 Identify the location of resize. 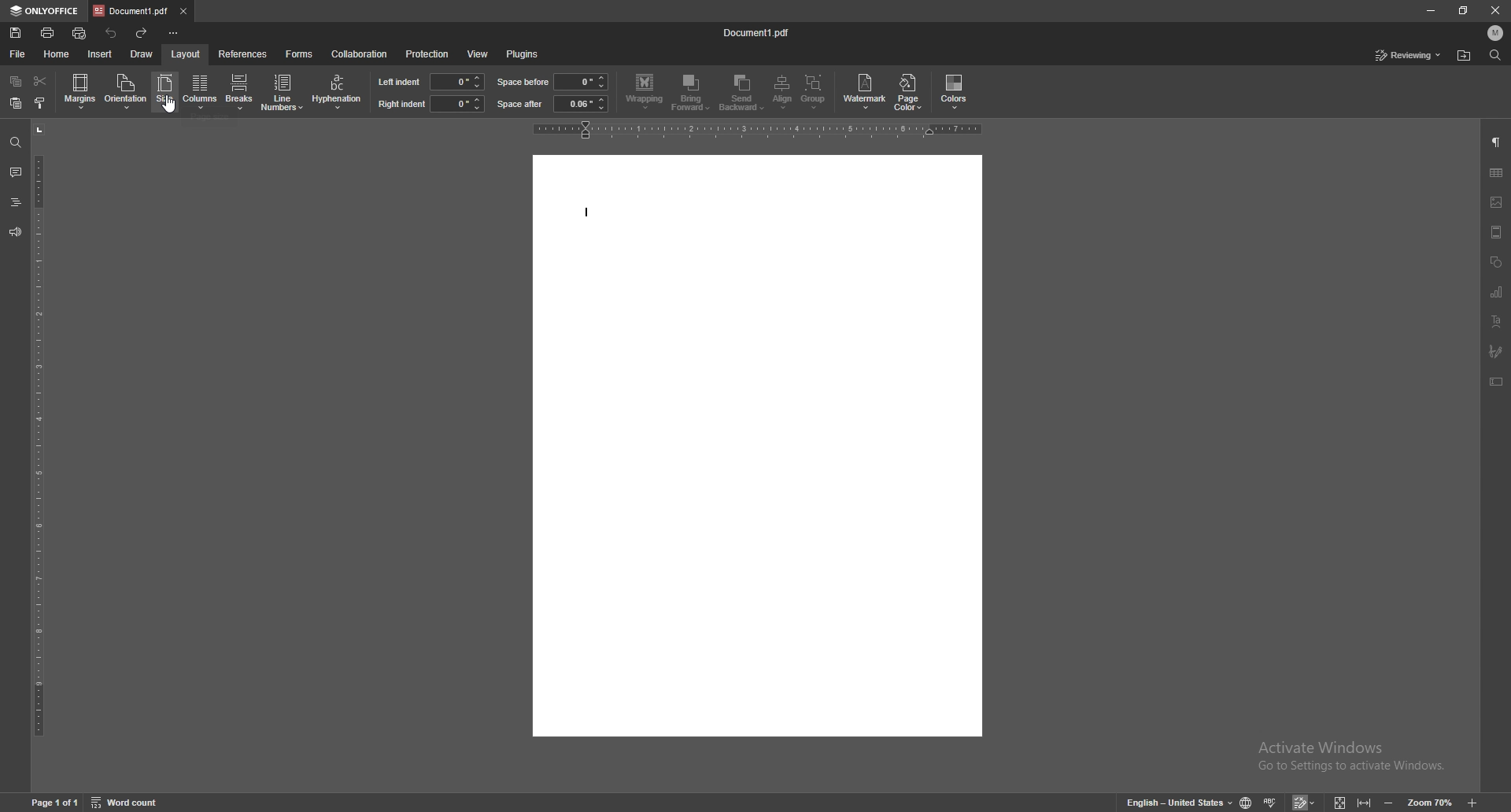
(1463, 11).